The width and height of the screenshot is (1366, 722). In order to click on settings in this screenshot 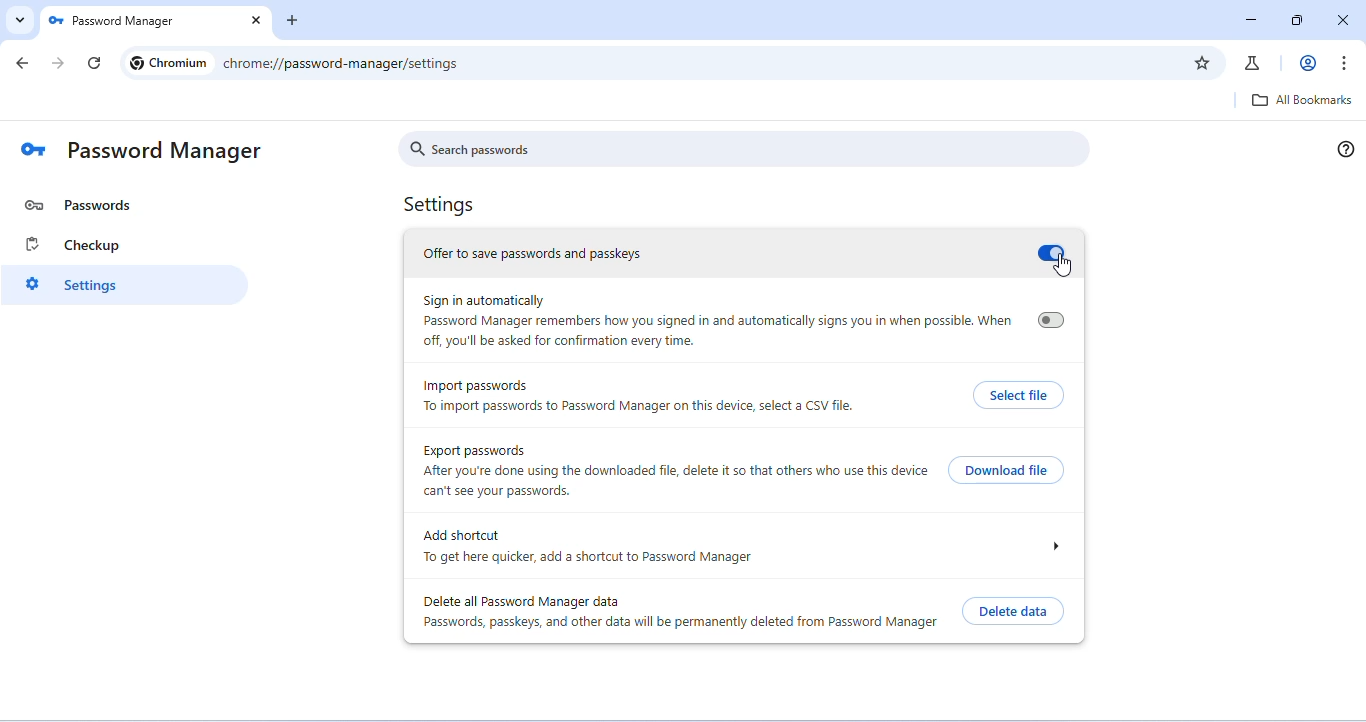, I will do `click(125, 286)`.